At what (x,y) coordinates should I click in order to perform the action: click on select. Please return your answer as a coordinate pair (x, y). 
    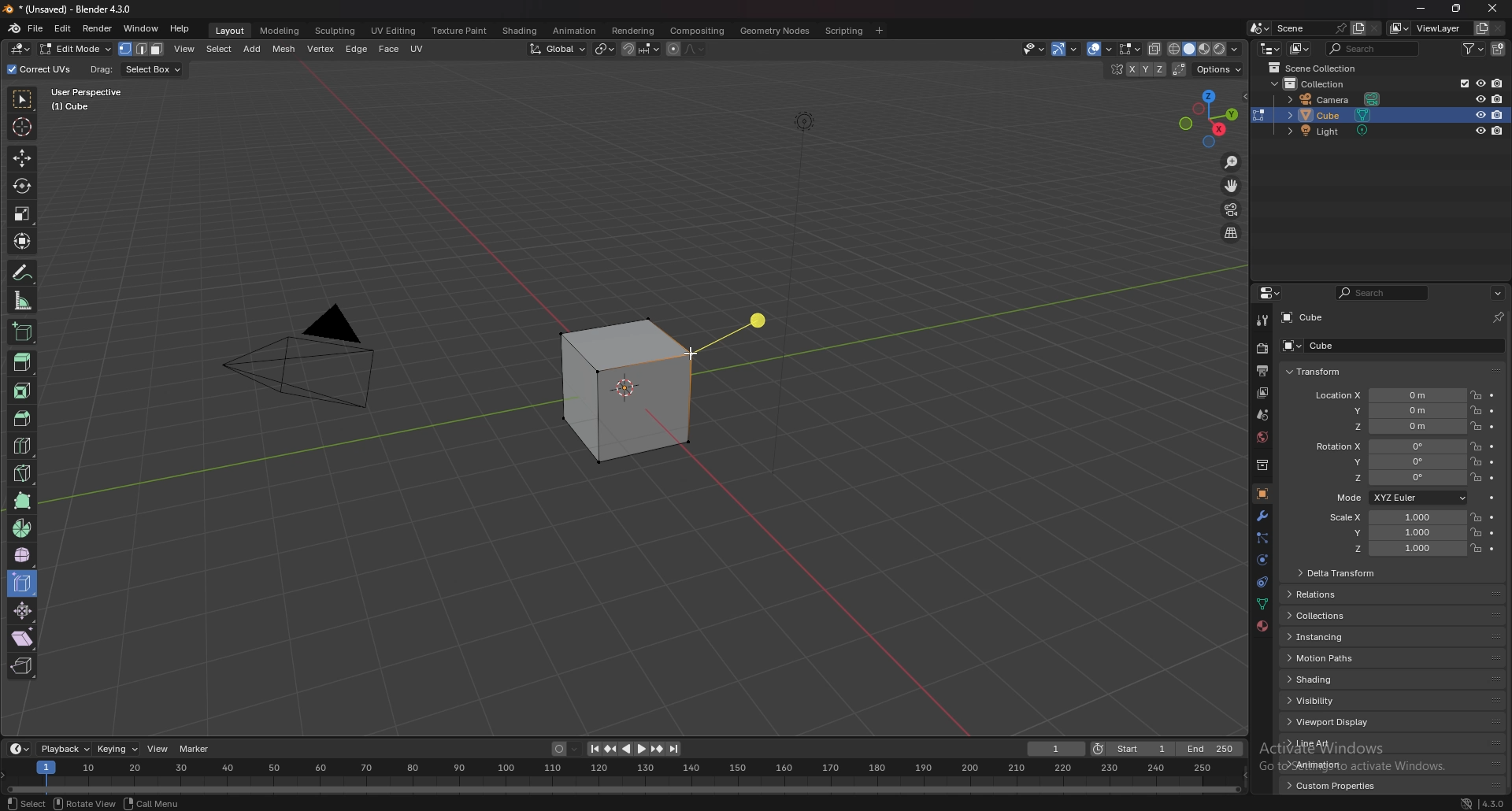
    Looking at the image, I should click on (23, 101).